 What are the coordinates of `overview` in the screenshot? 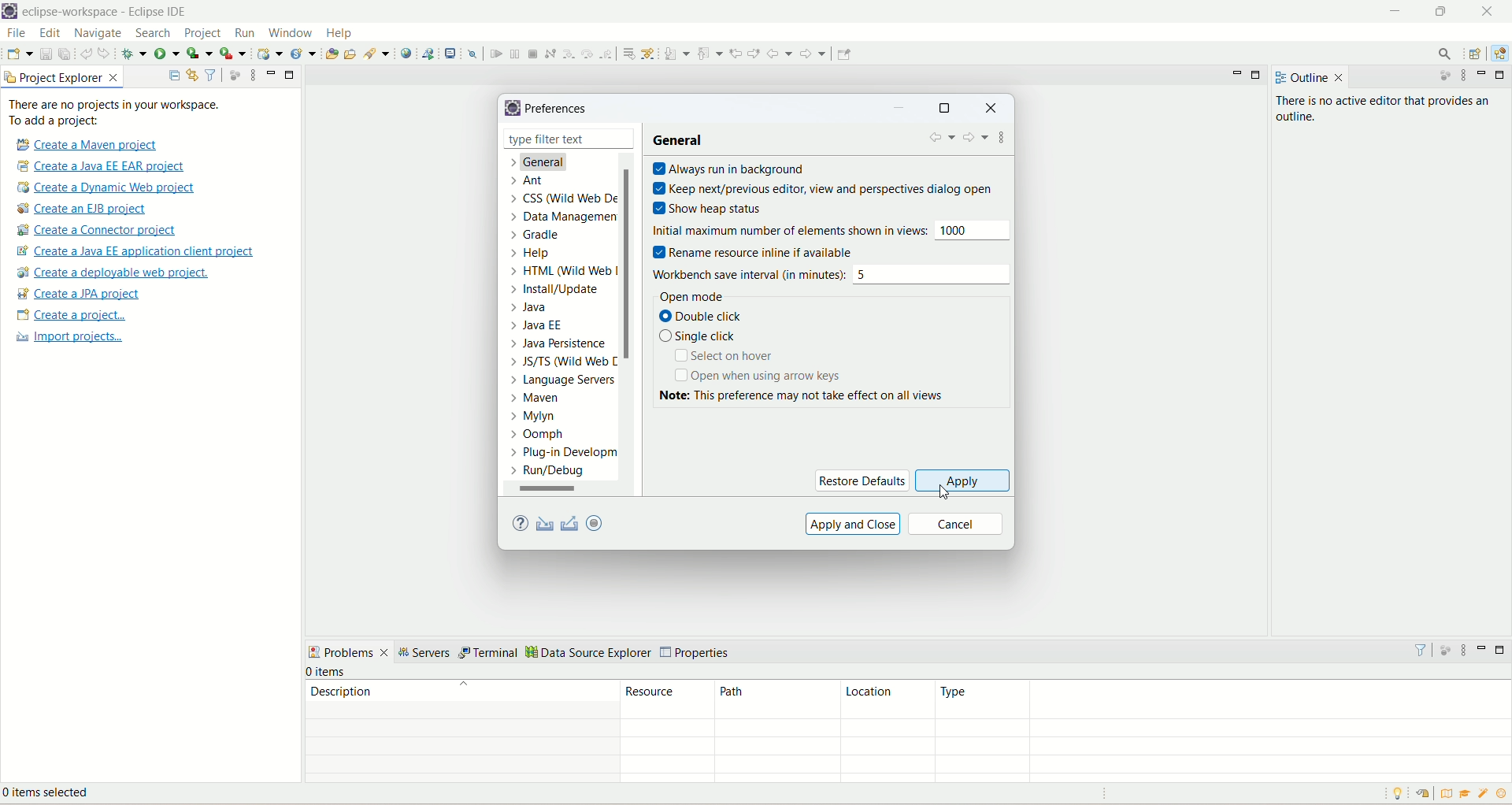 It's located at (1444, 792).